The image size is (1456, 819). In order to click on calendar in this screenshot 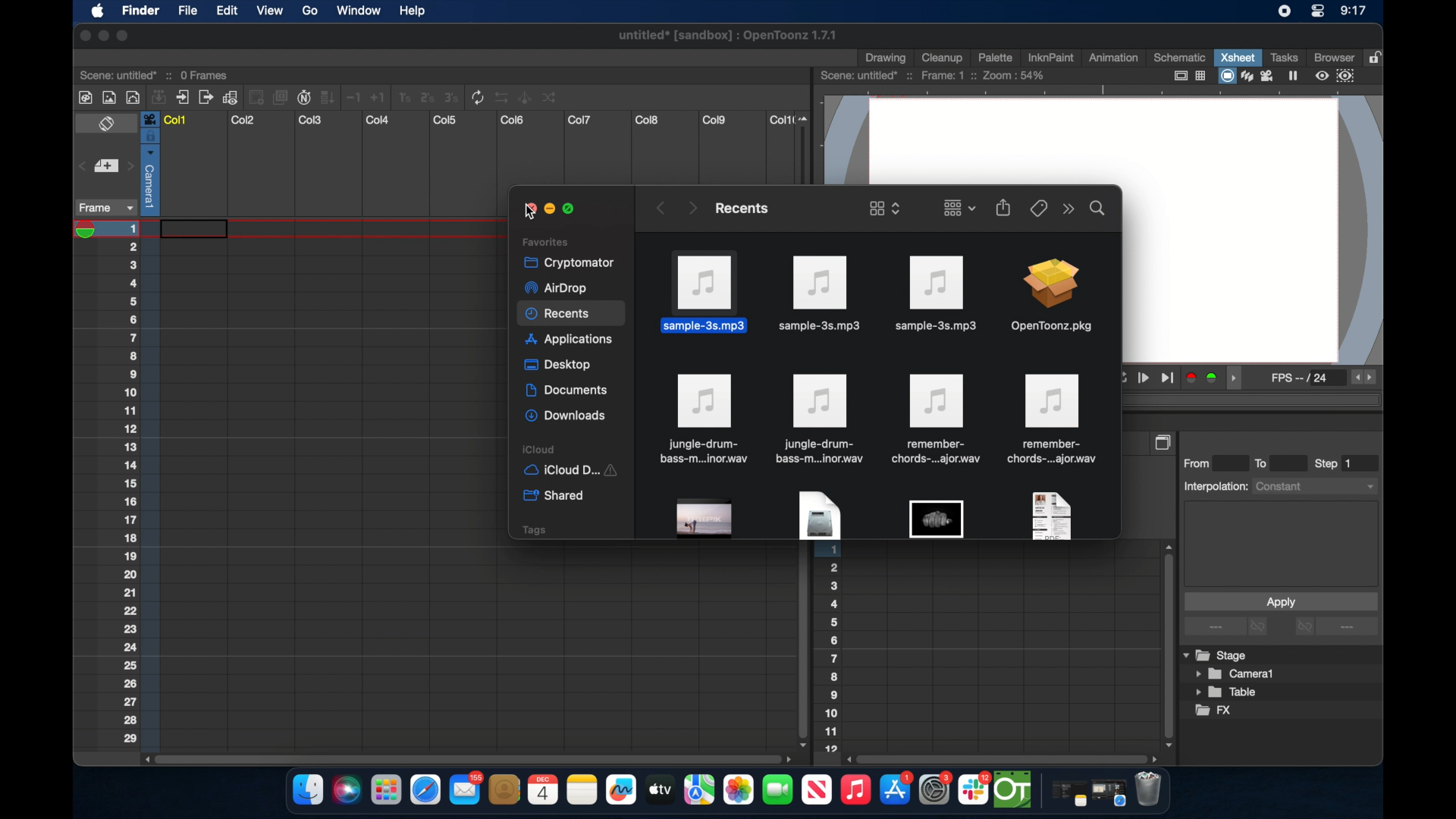, I will do `click(542, 789)`.